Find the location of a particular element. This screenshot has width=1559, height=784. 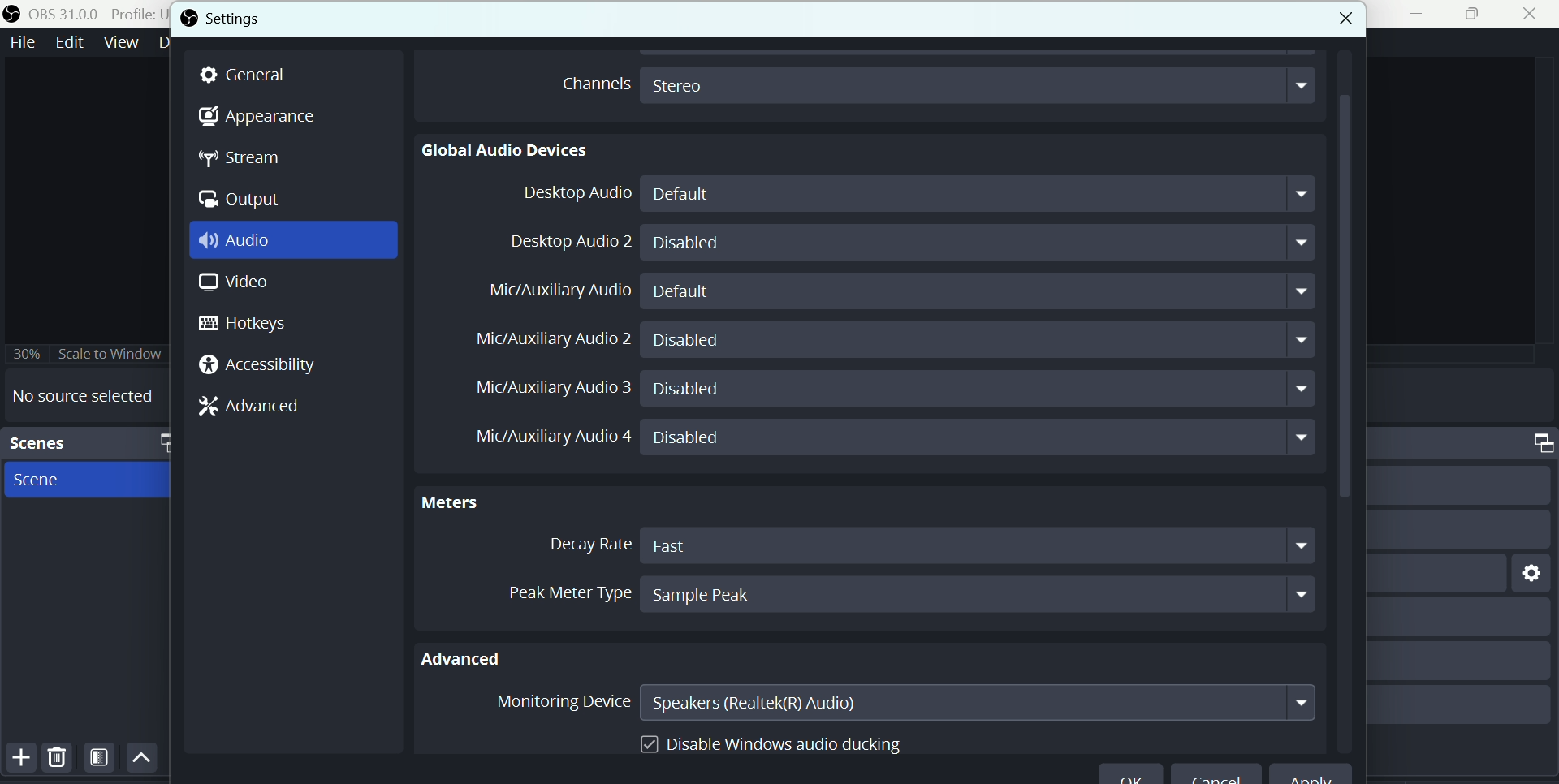

OBS logo is located at coordinates (14, 13).